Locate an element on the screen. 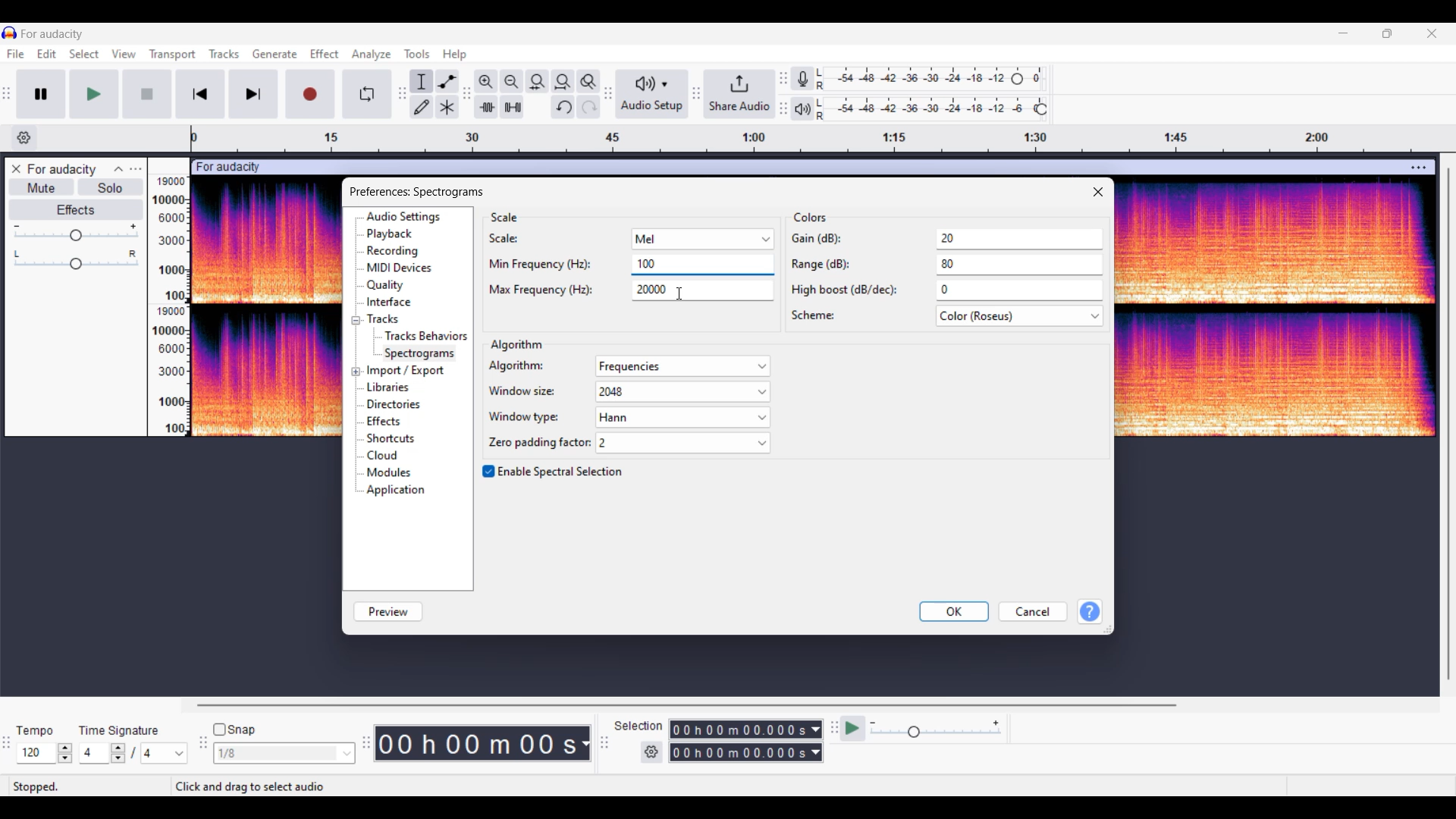 The width and height of the screenshot is (1456, 819). Zoom out is located at coordinates (513, 82).